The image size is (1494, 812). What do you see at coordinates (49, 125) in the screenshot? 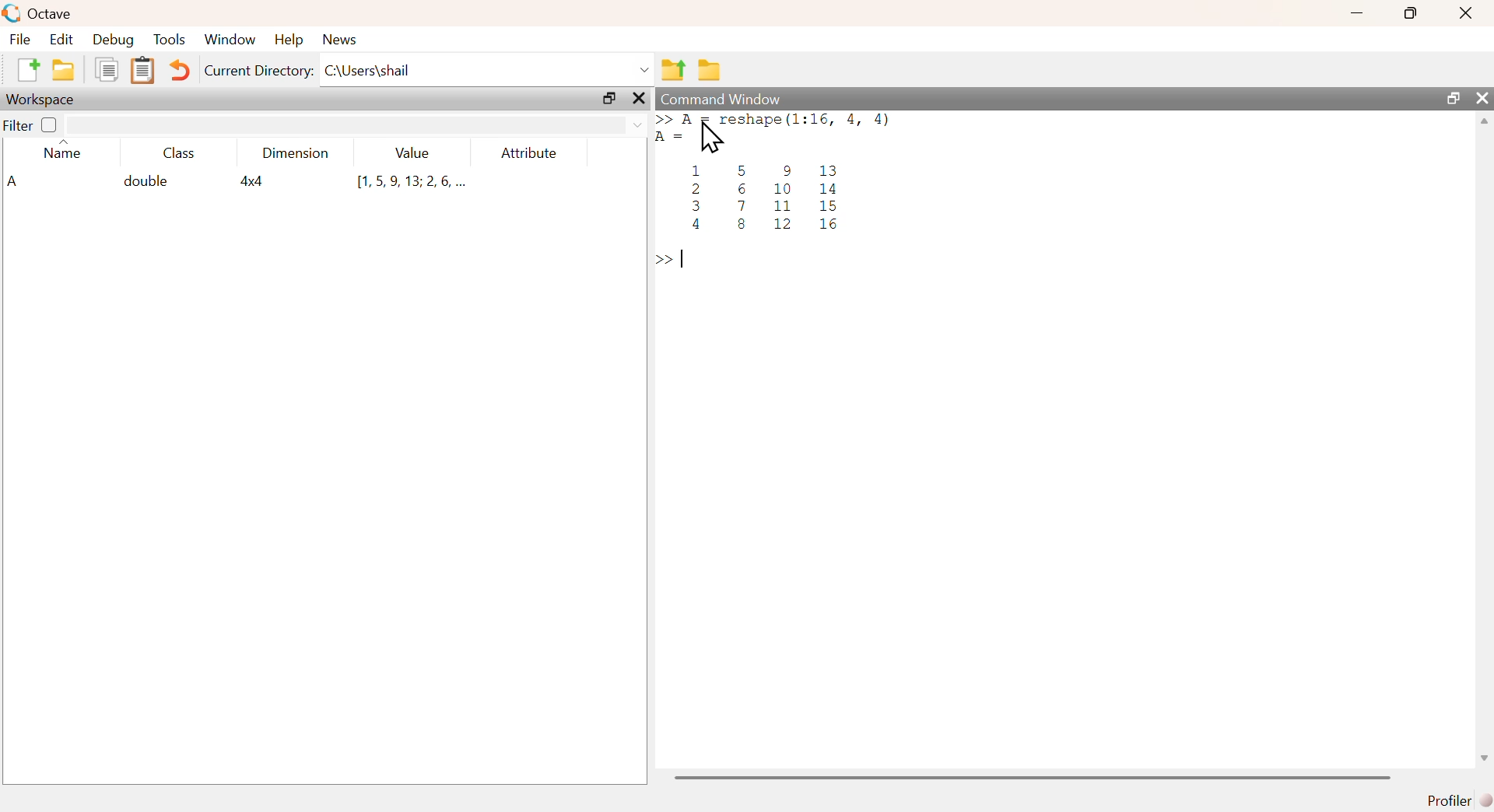
I see `off` at bounding box center [49, 125].